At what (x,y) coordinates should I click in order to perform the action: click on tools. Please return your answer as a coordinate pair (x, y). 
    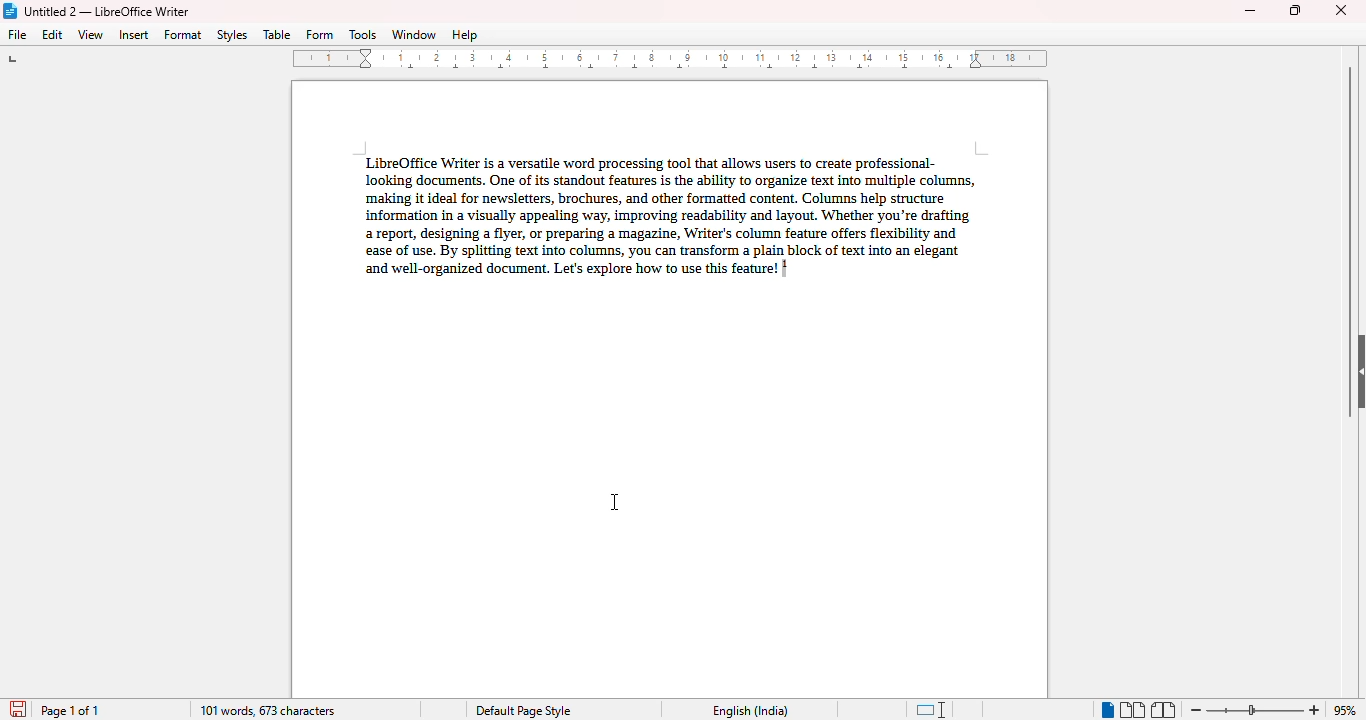
    Looking at the image, I should click on (363, 35).